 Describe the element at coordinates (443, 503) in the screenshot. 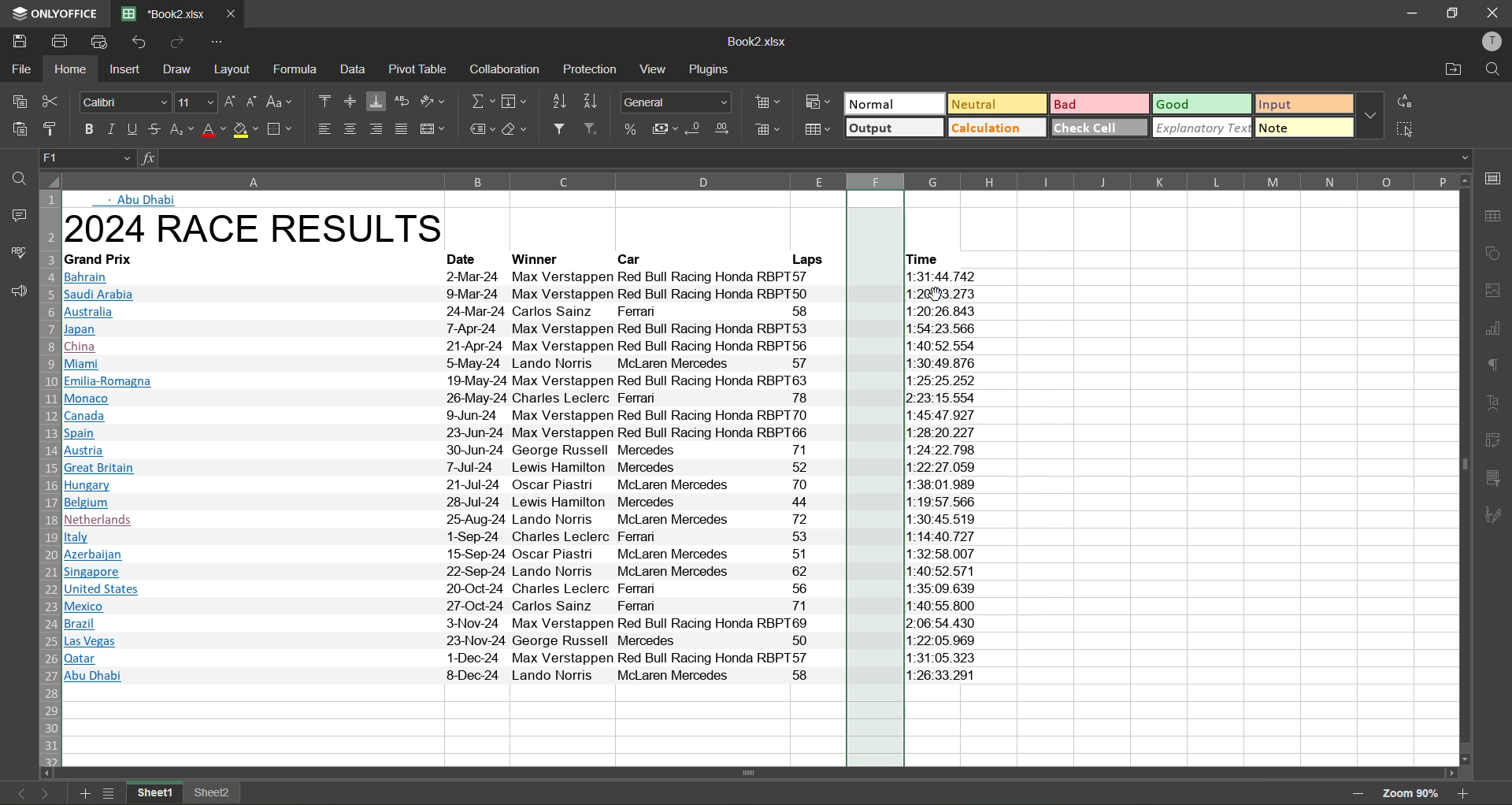

I see `Belgium 28-Jul-24 Lewis Hamilton Mercedes 44 1:19:57 .566` at that location.